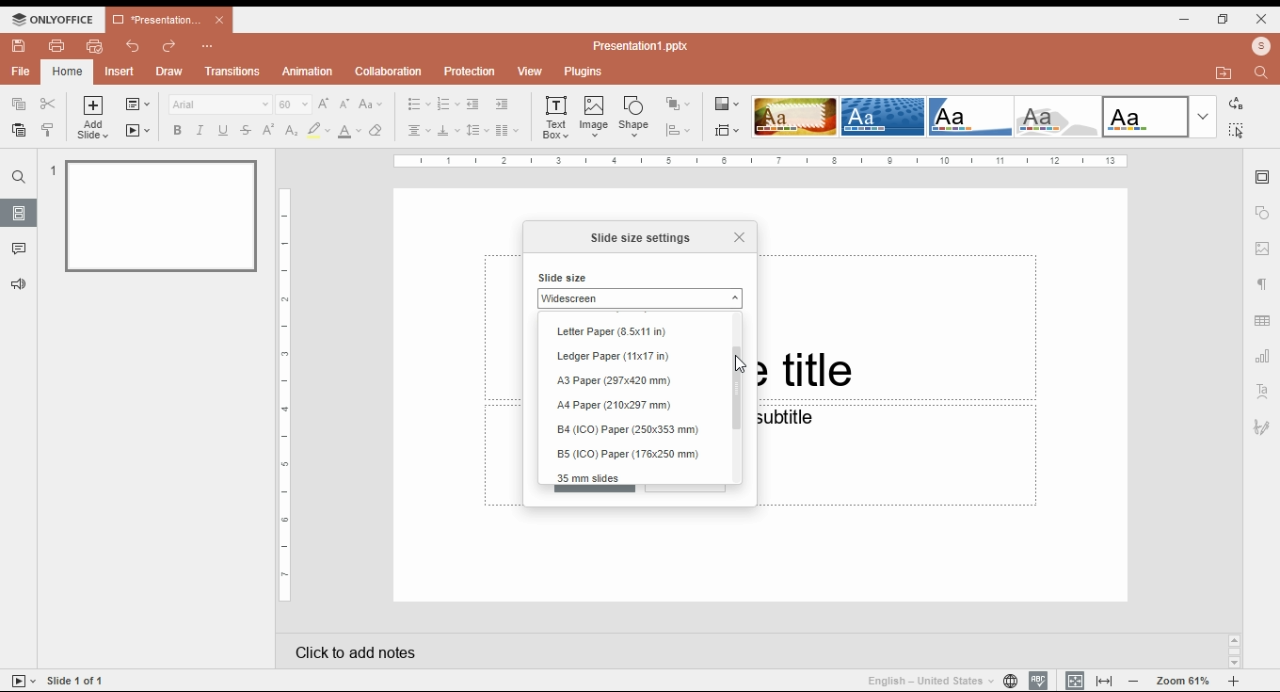  What do you see at coordinates (138, 131) in the screenshot?
I see `start slideshow` at bounding box center [138, 131].